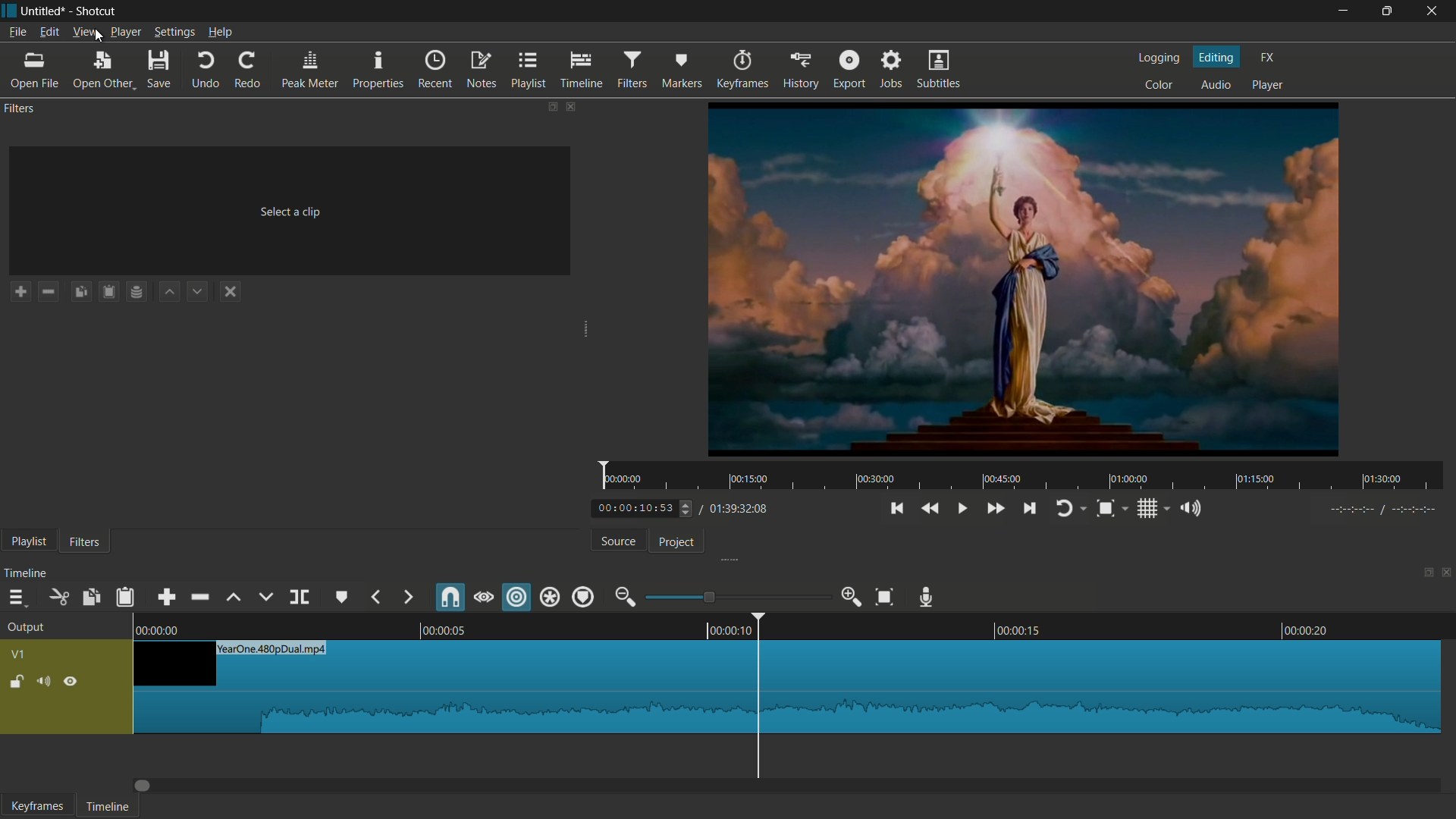  I want to click on time, so click(1026, 476).